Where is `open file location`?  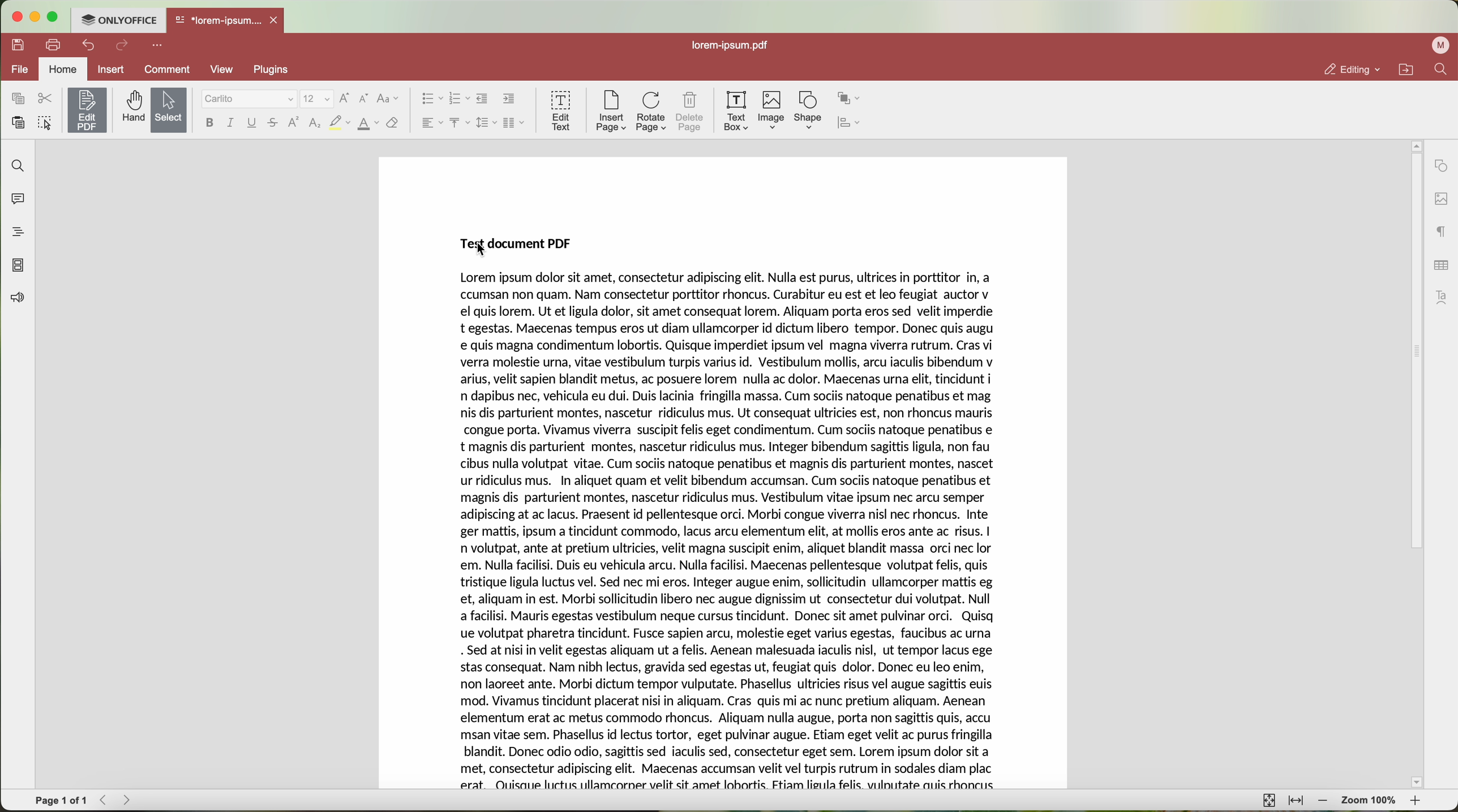 open file location is located at coordinates (1405, 69).